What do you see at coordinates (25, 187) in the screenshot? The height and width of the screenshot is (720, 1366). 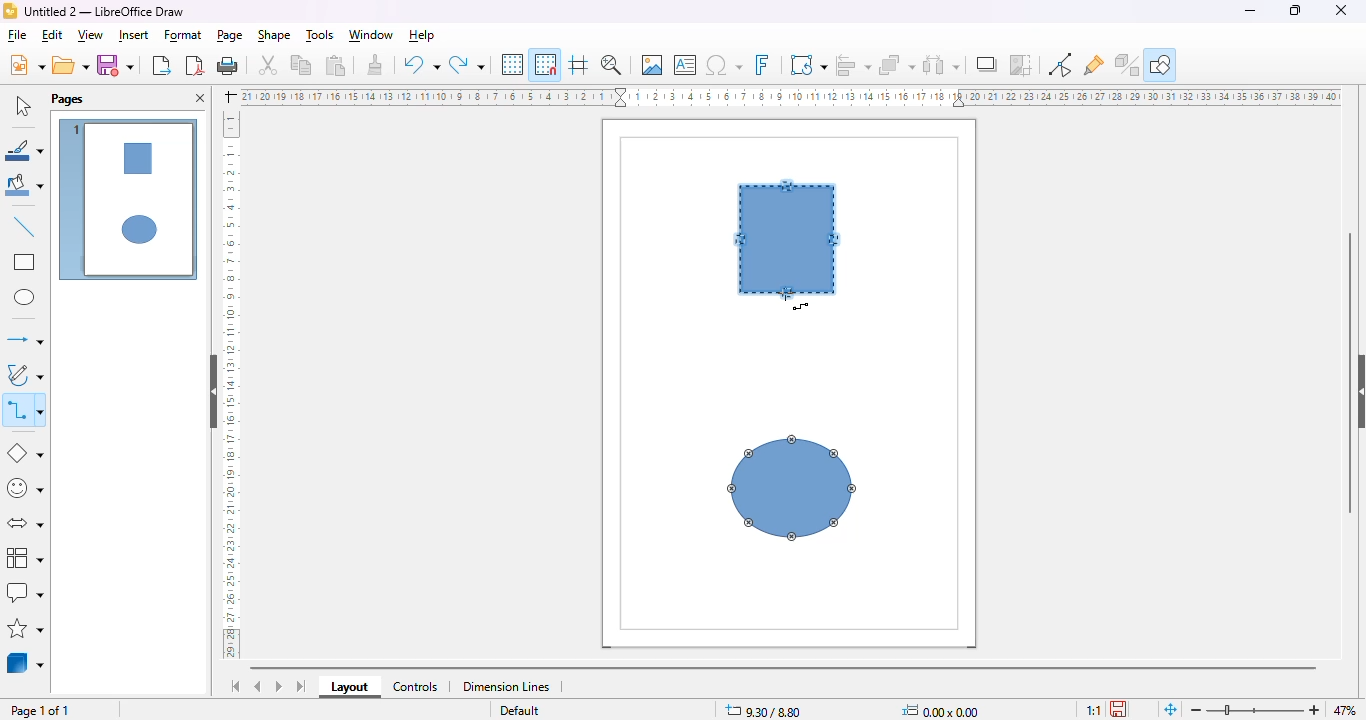 I see `fill color` at bounding box center [25, 187].